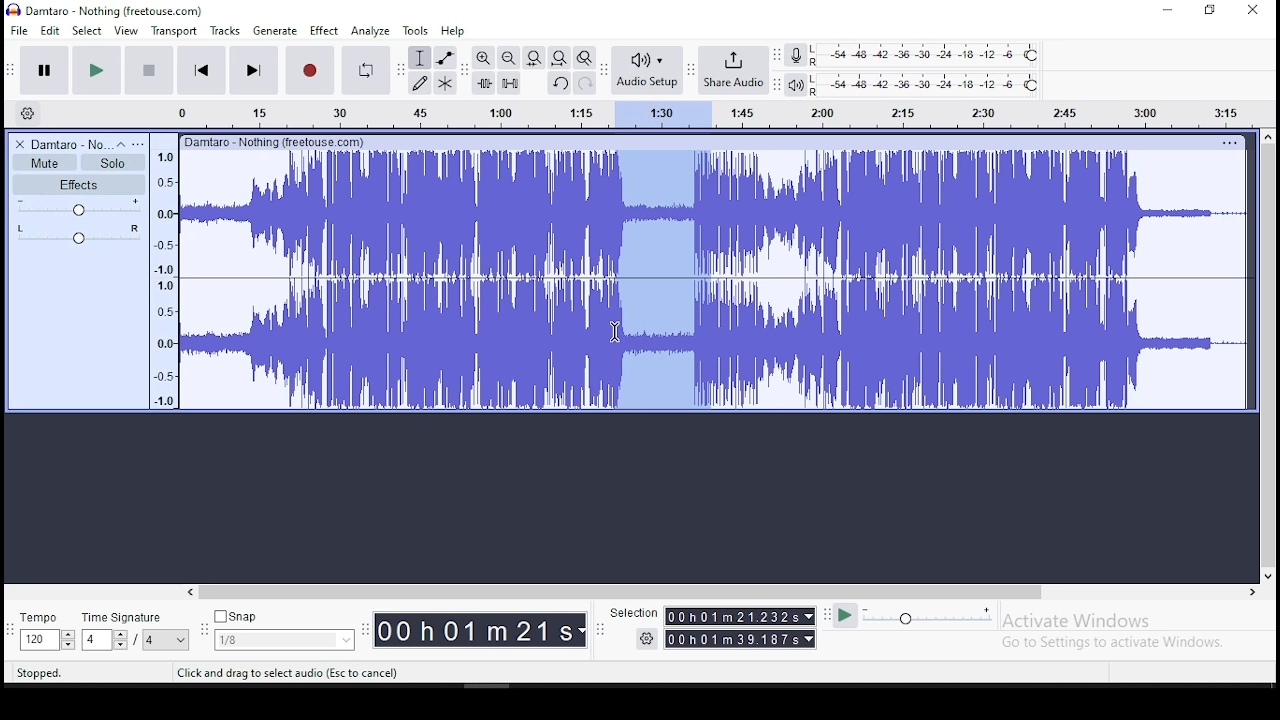 The image size is (1280, 720). What do you see at coordinates (113, 163) in the screenshot?
I see `solo` at bounding box center [113, 163].